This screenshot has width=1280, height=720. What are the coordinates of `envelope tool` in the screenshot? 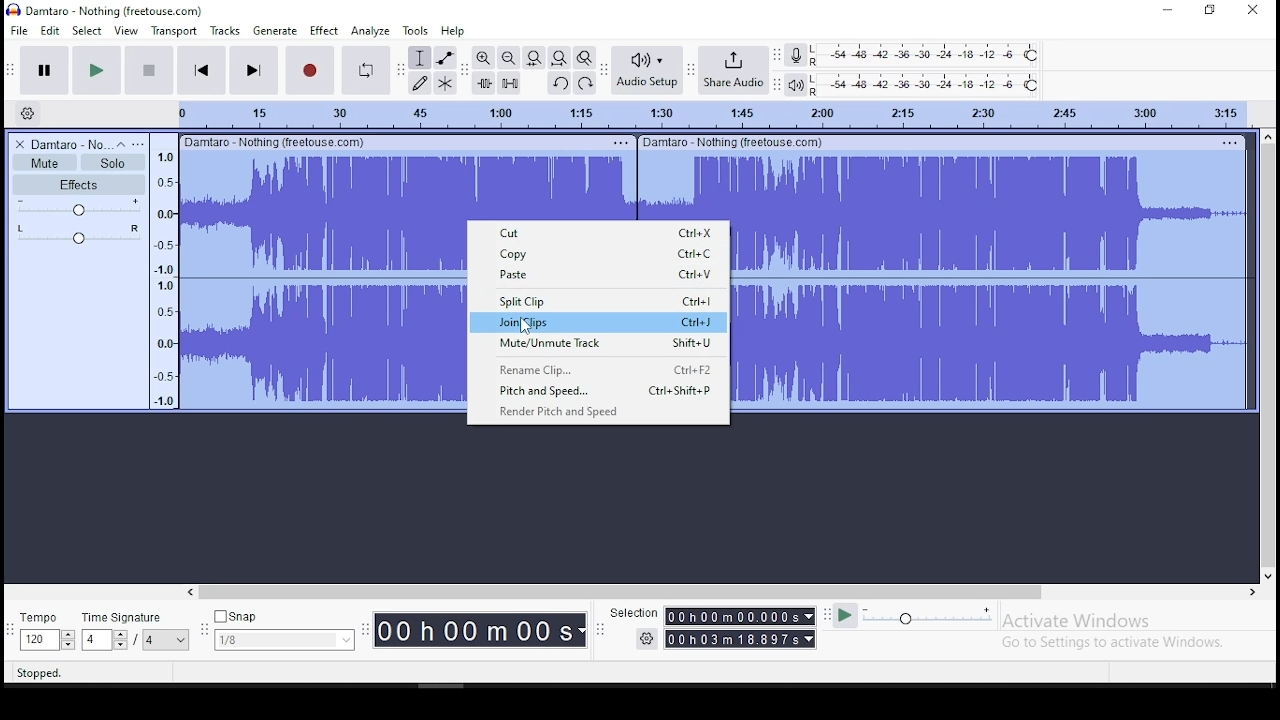 It's located at (445, 58).